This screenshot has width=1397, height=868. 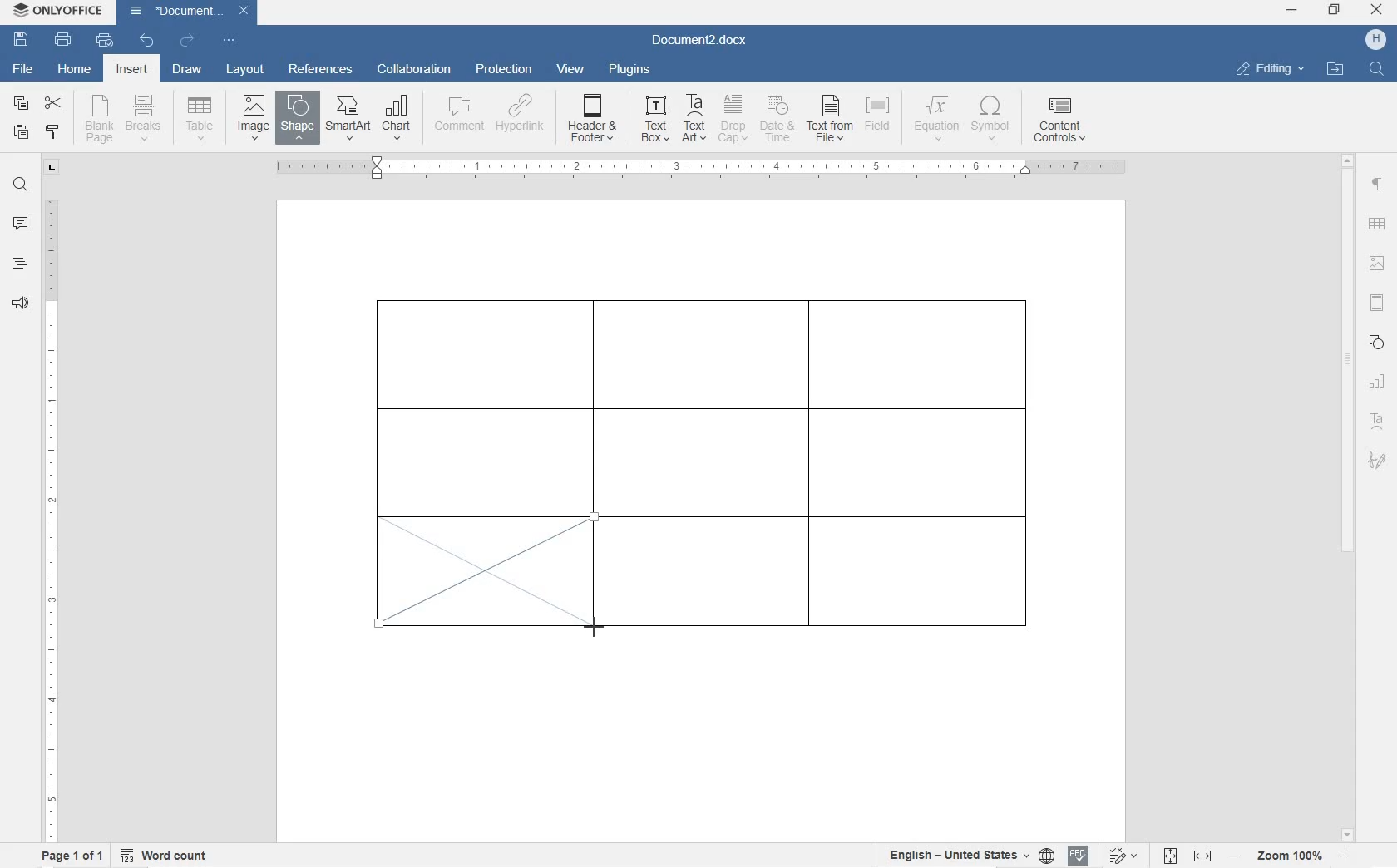 I want to click on file, so click(x=26, y=71).